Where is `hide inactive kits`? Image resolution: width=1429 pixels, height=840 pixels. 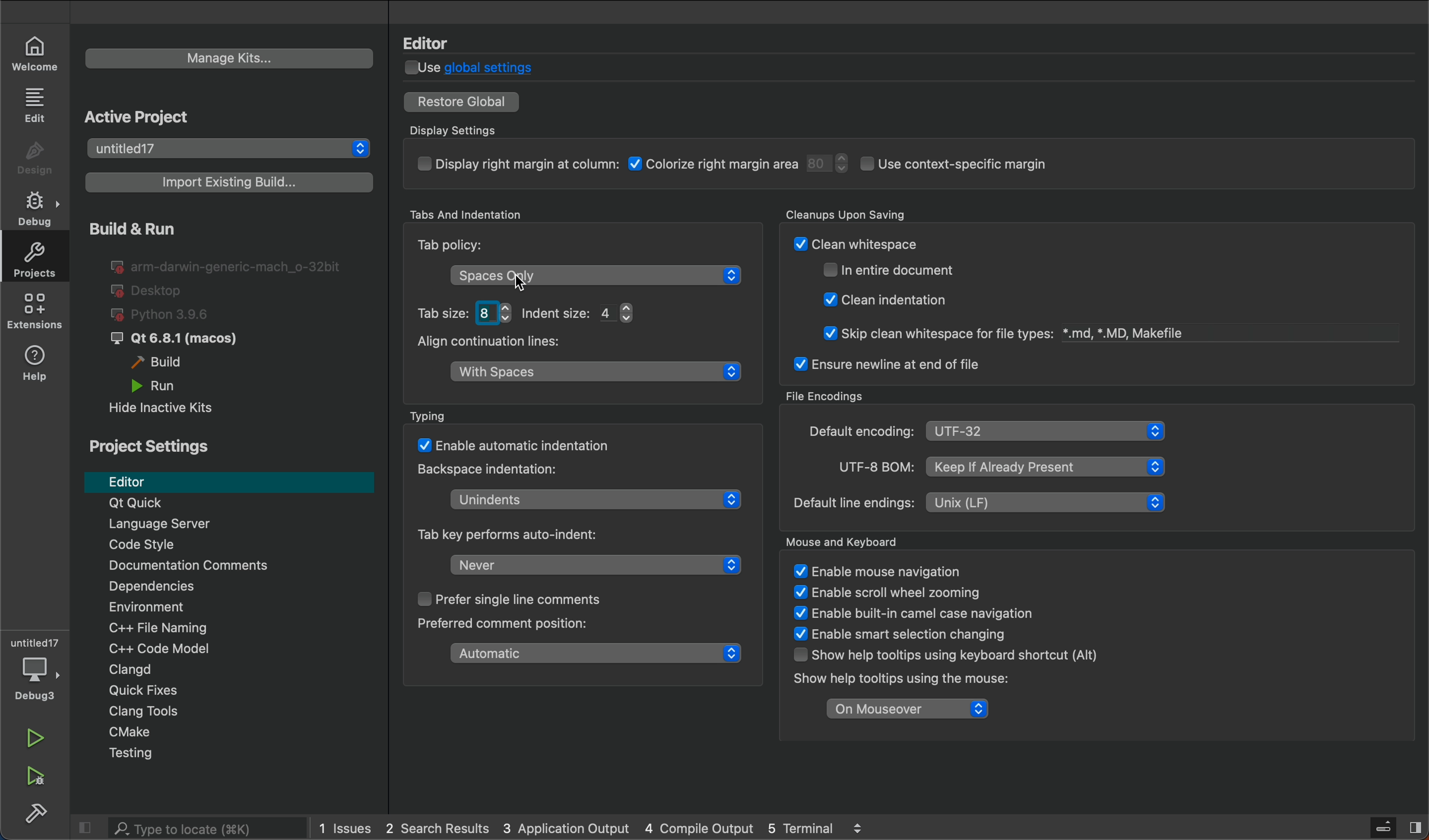
hide inactive kits is located at coordinates (164, 409).